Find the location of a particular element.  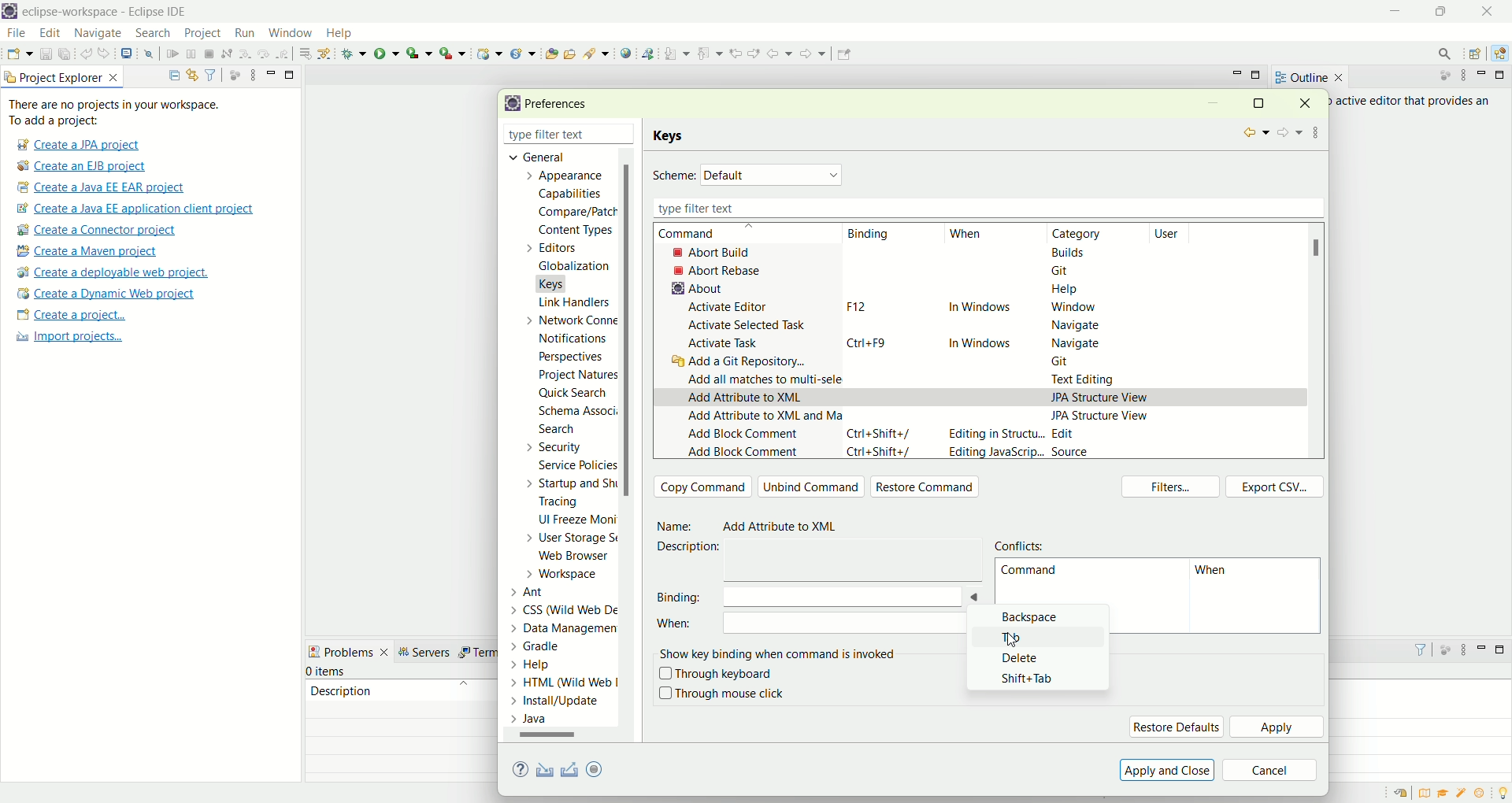

minimize is located at coordinates (1213, 105).